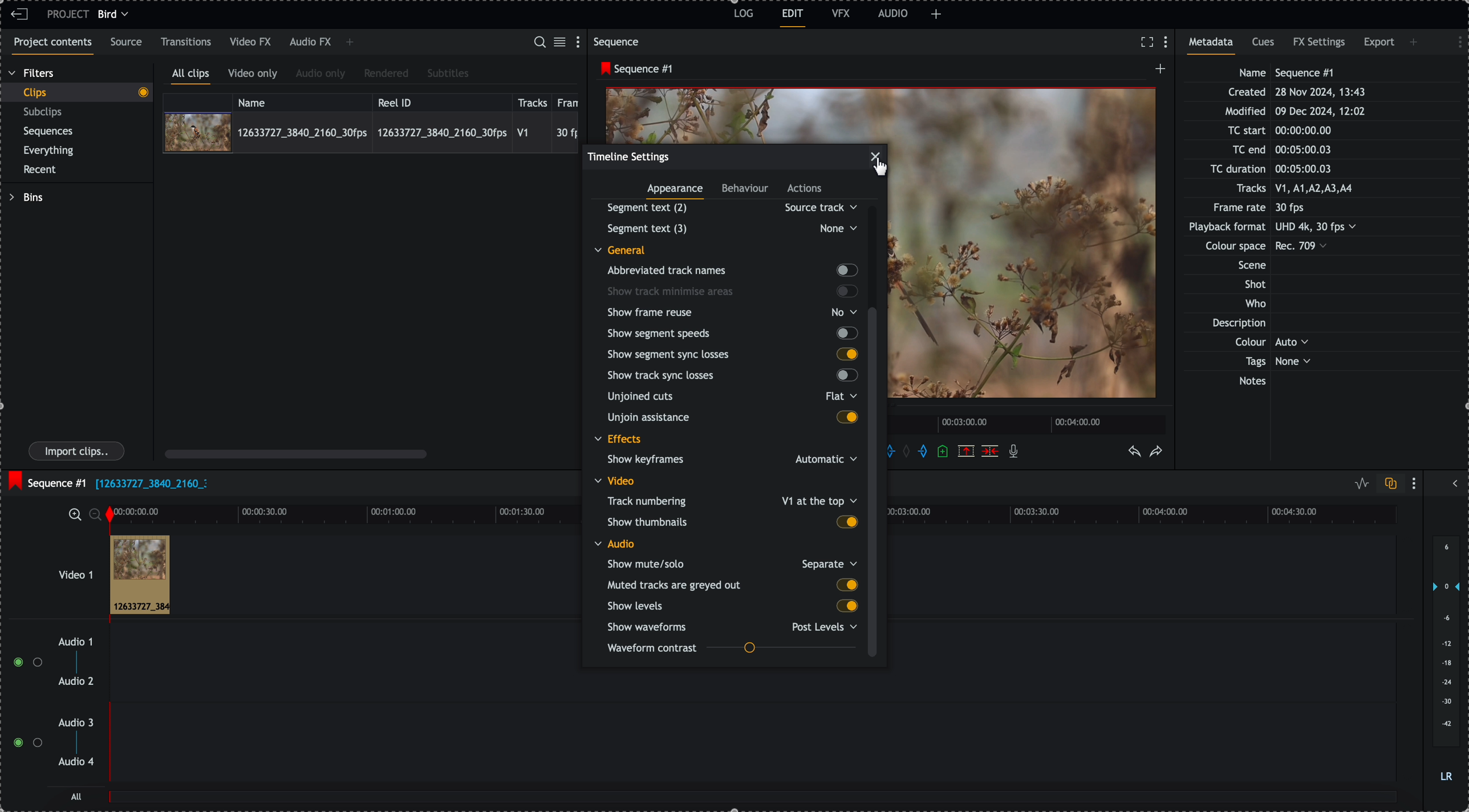 This screenshot has height=812, width=1469. What do you see at coordinates (96, 514) in the screenshot?
I see `zoom ouy` at bounding box center [96, 514].